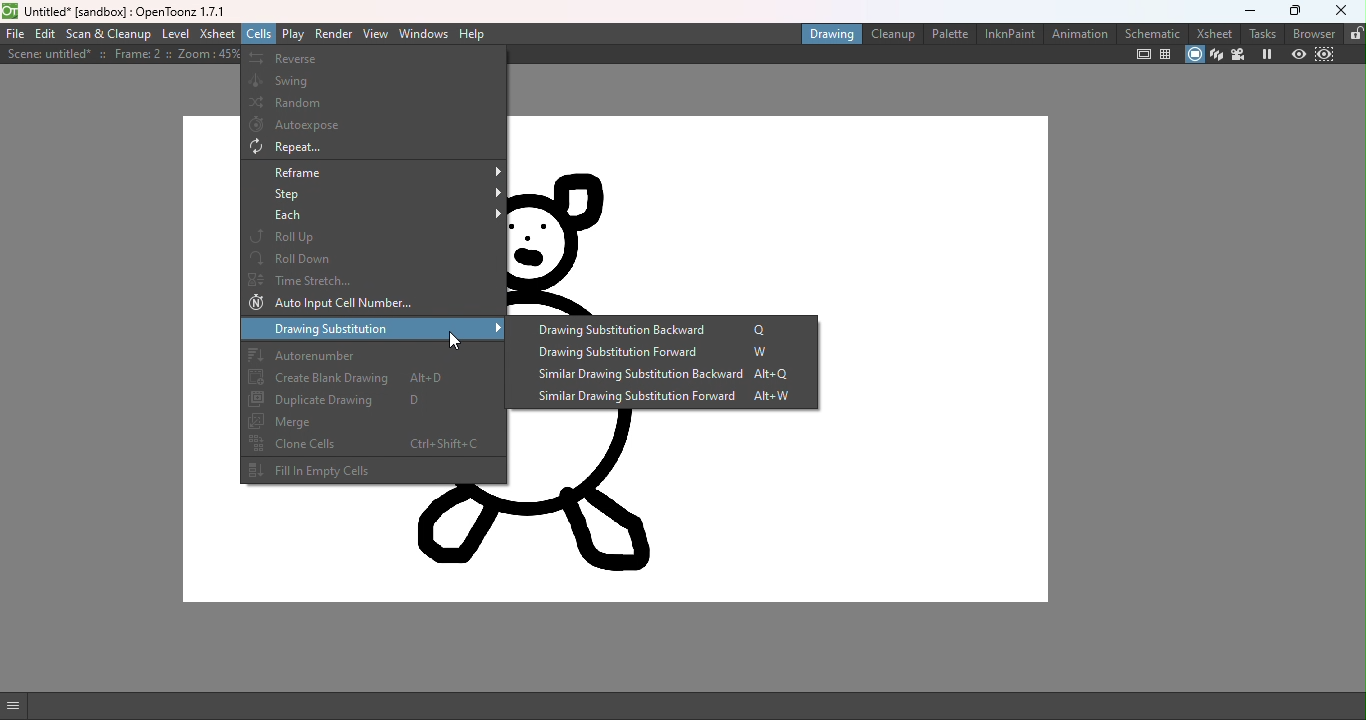 This screenshot has width=1366, height=720. What do you see at coordinates (175, 34) in the screenshot?
I see `Level` at bounding box center [175, 34].